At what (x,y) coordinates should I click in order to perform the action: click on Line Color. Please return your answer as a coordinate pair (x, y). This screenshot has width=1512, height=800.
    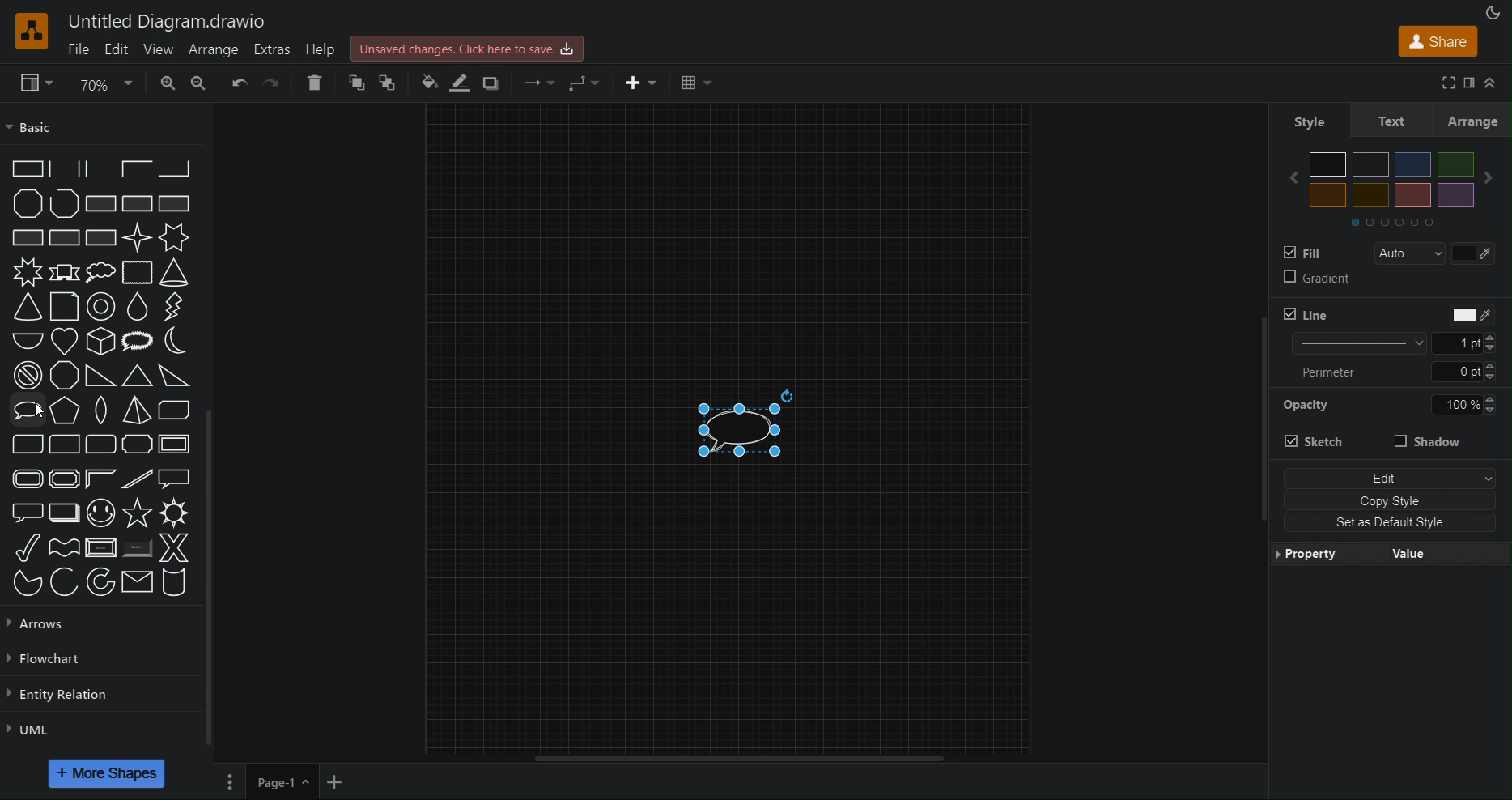
    Looking at the image, I should click on (1475, 313).